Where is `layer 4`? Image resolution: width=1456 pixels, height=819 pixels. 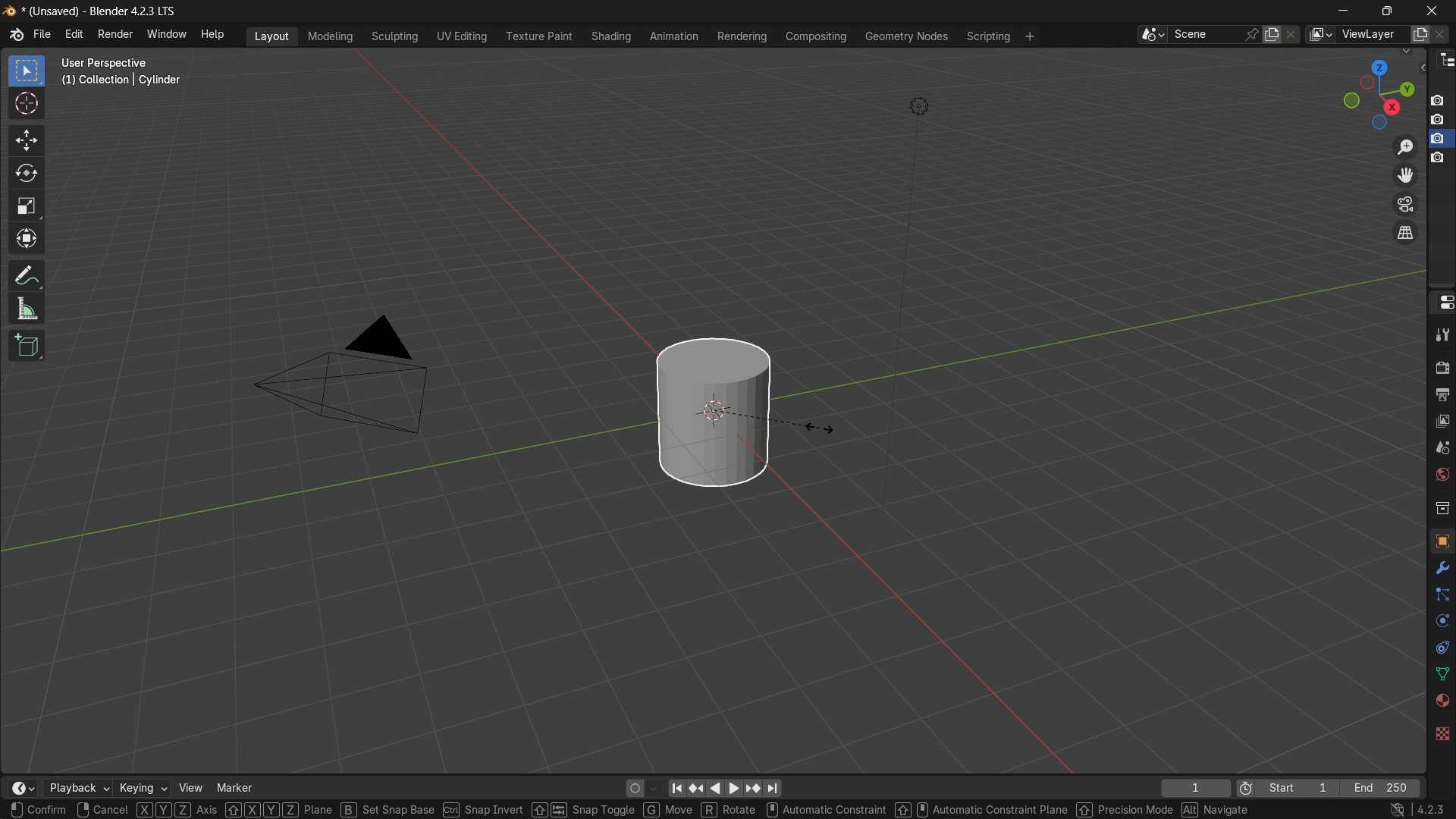
layer 4 is located at coordinates (1439, 157).